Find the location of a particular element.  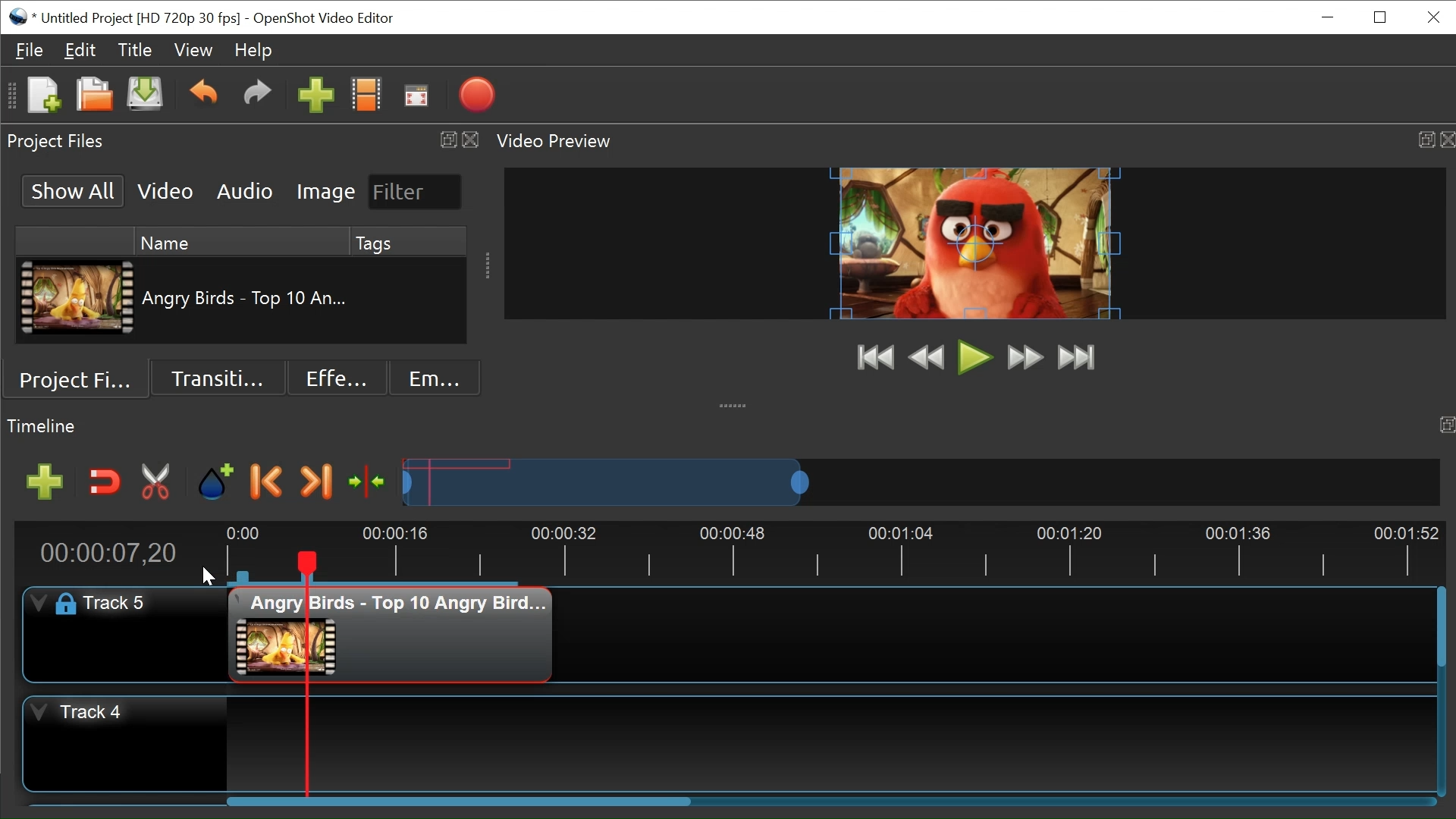

Tags is located at coordinates (411, 242).